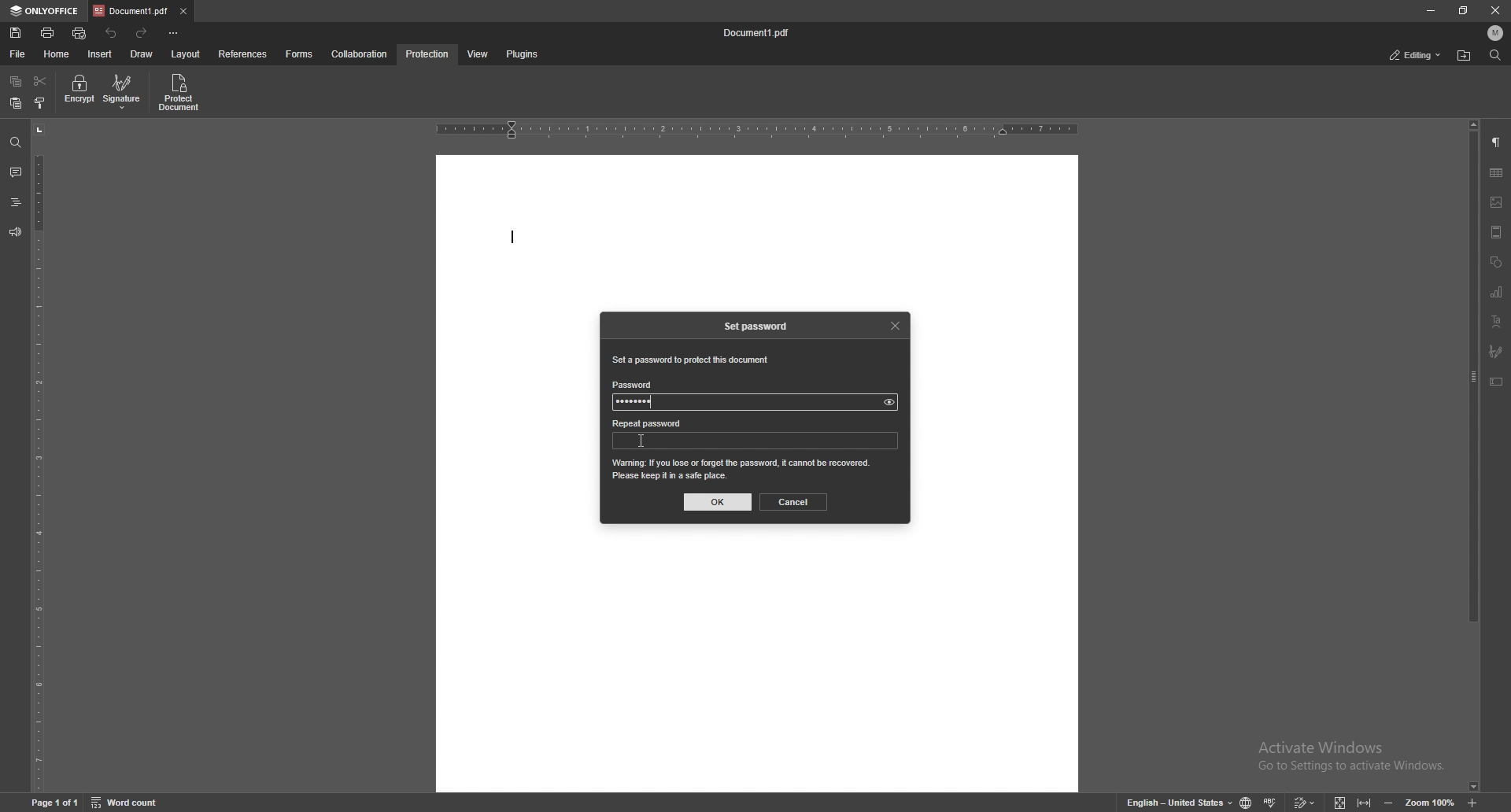 The height and width of the screenshot is (812, 1511). Describe the element at coordinates (690, 360) in the screenshot. I see `set a password` at that location.